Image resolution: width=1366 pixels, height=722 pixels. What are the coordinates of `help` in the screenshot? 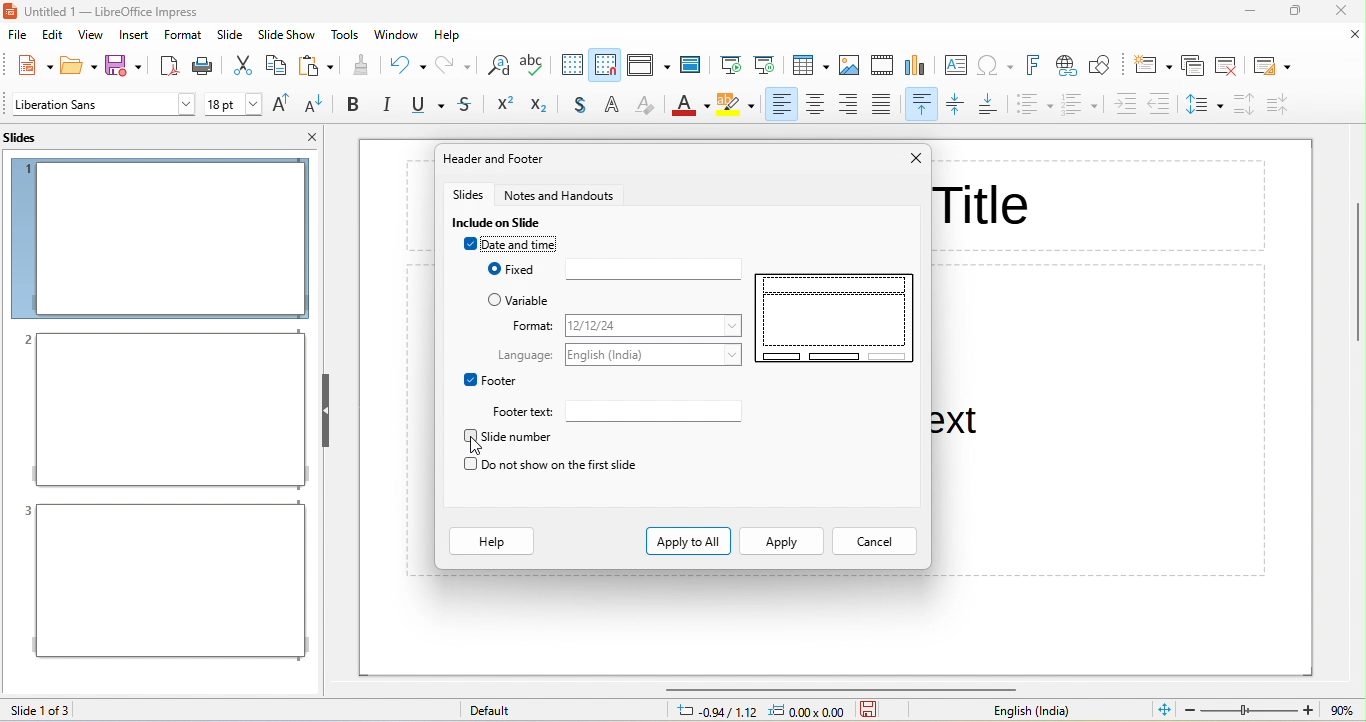 It's located at (448, 36).